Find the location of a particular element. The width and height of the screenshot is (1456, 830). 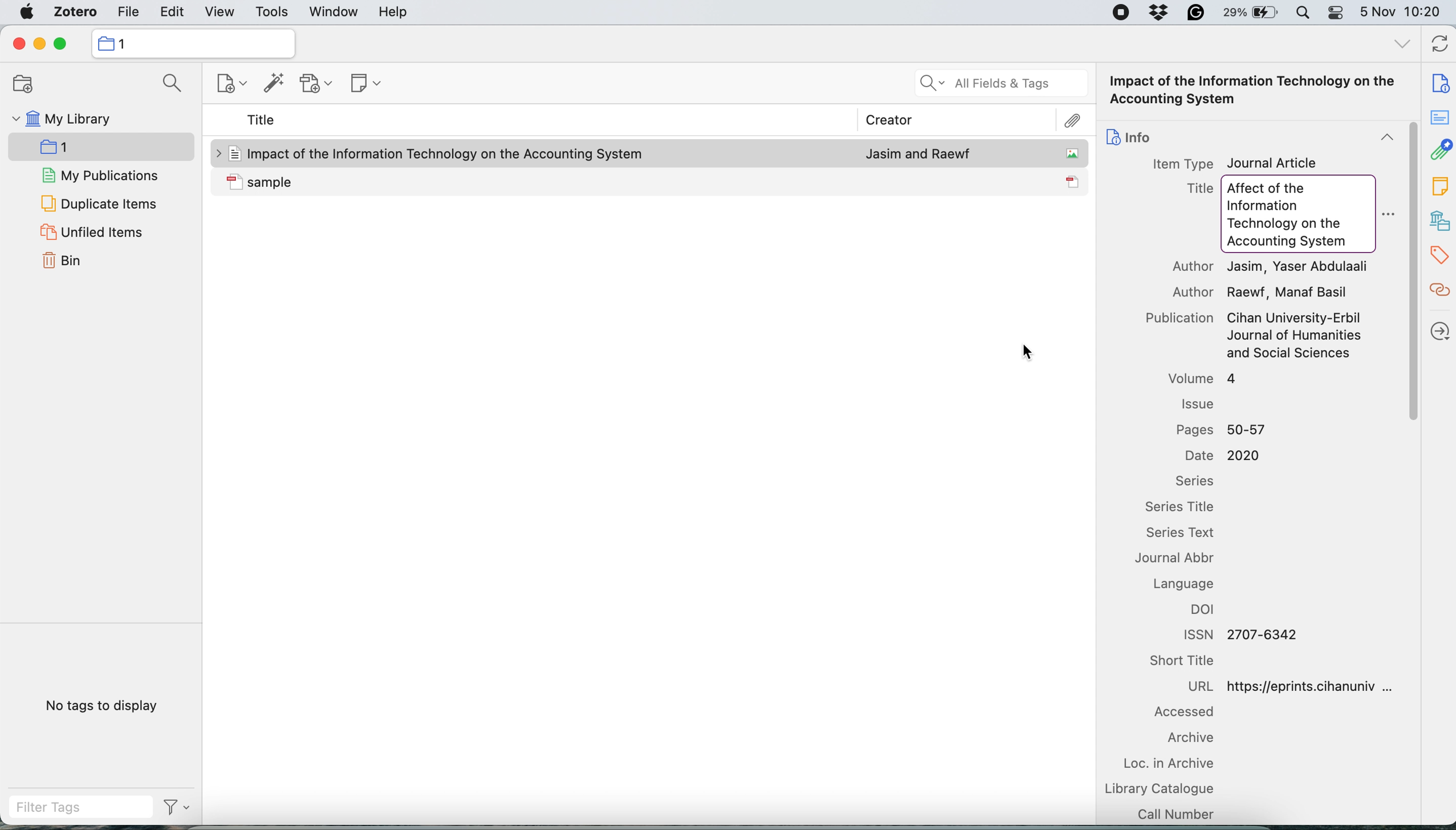

Pages 50-57 is located at coordinates (1220, 430).